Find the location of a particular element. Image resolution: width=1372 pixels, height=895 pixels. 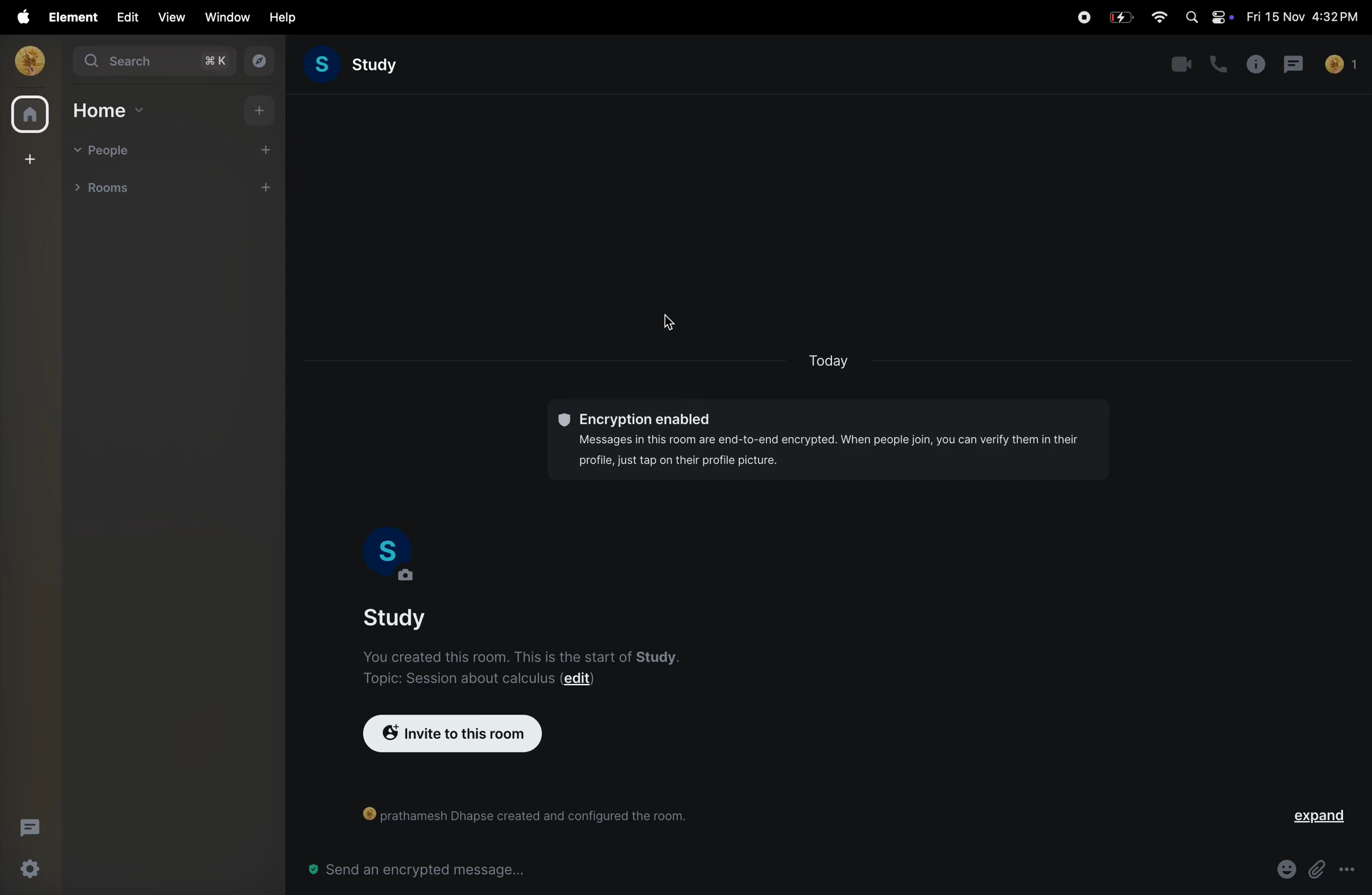

no of people is located at coordinates (1344, 63).